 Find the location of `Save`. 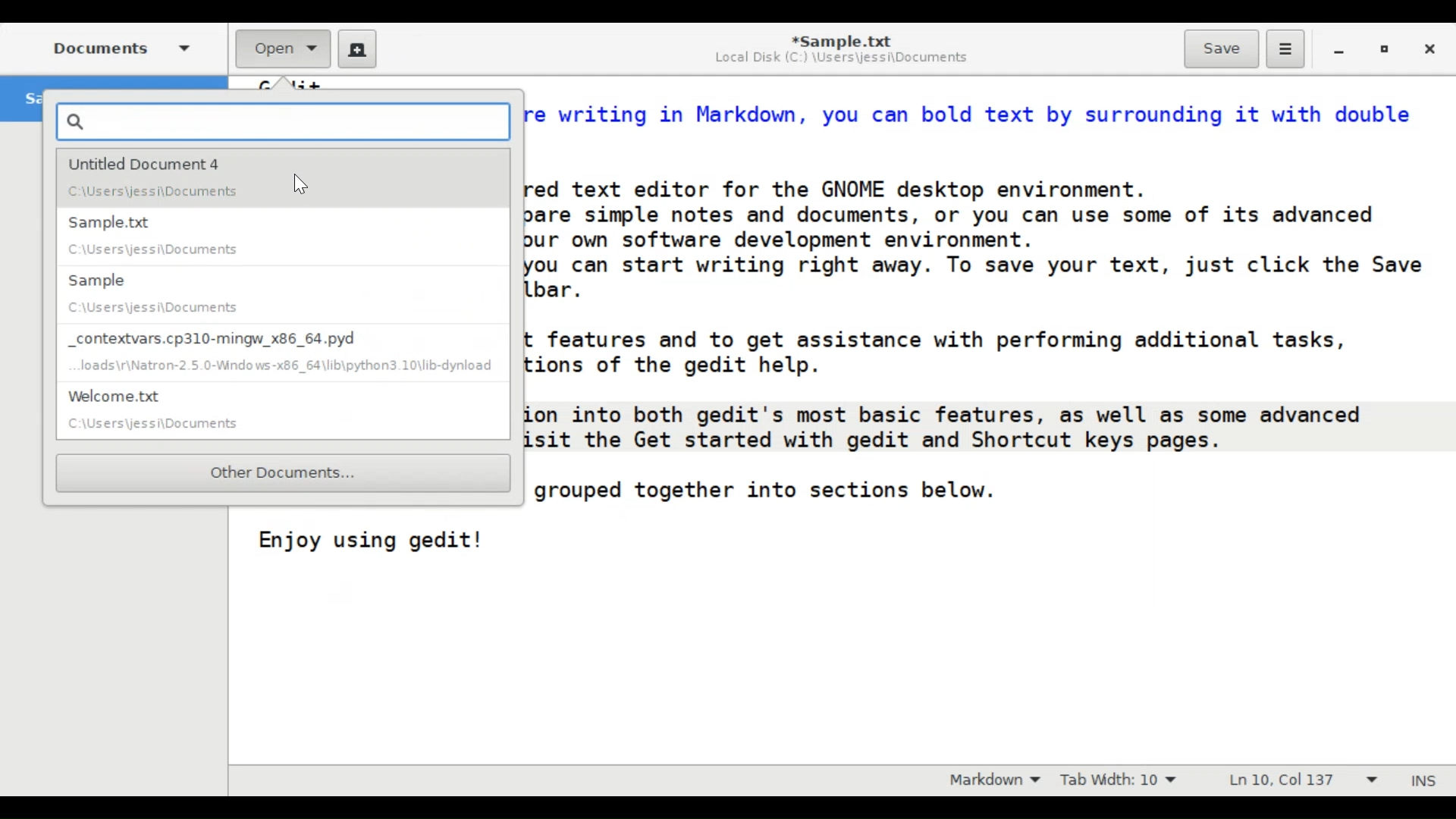

Save is located at coordinates (1221, 49).